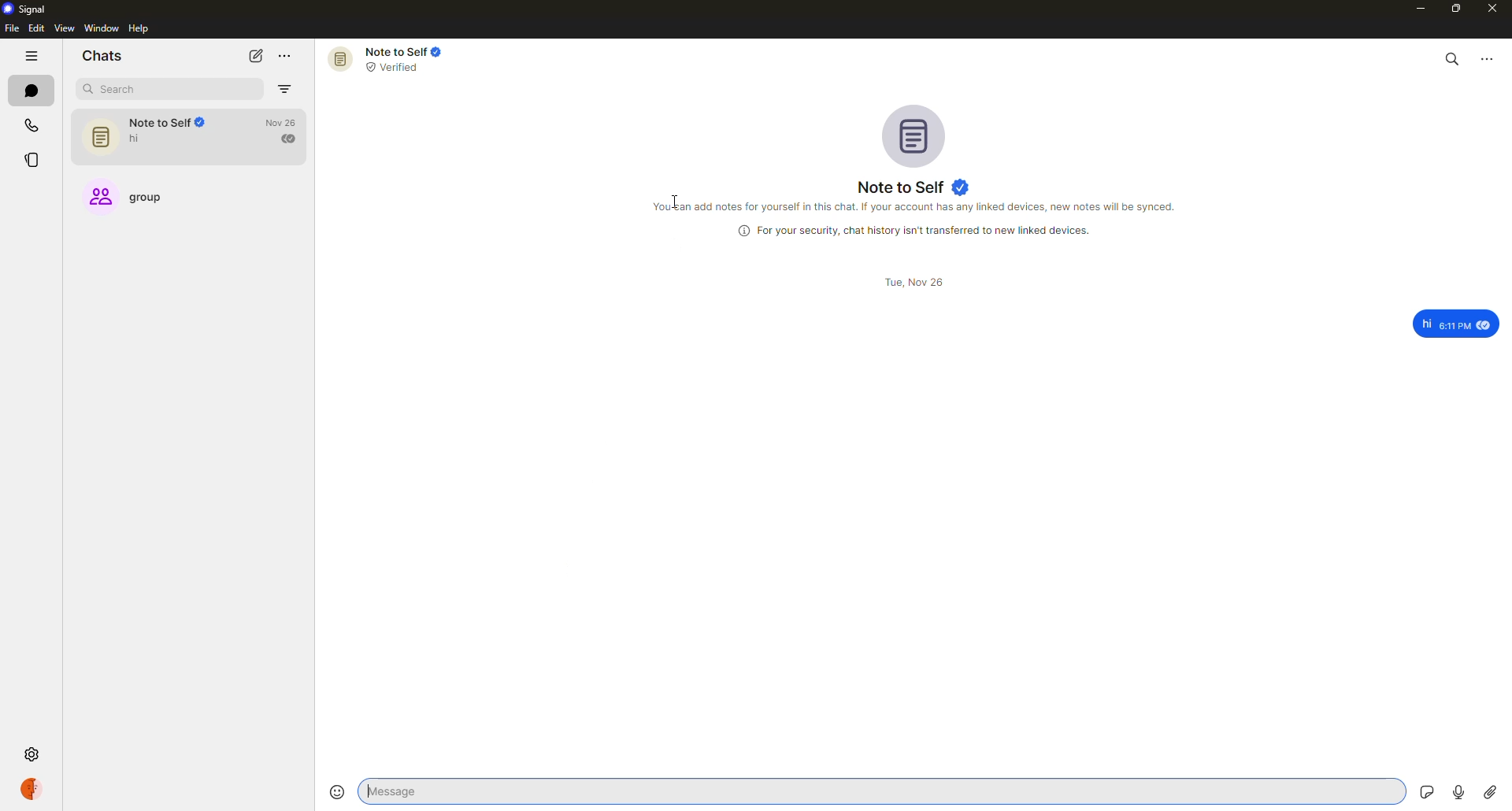 This screenshot has width=1512, height=811. I want to click on info, so click(914, 209).